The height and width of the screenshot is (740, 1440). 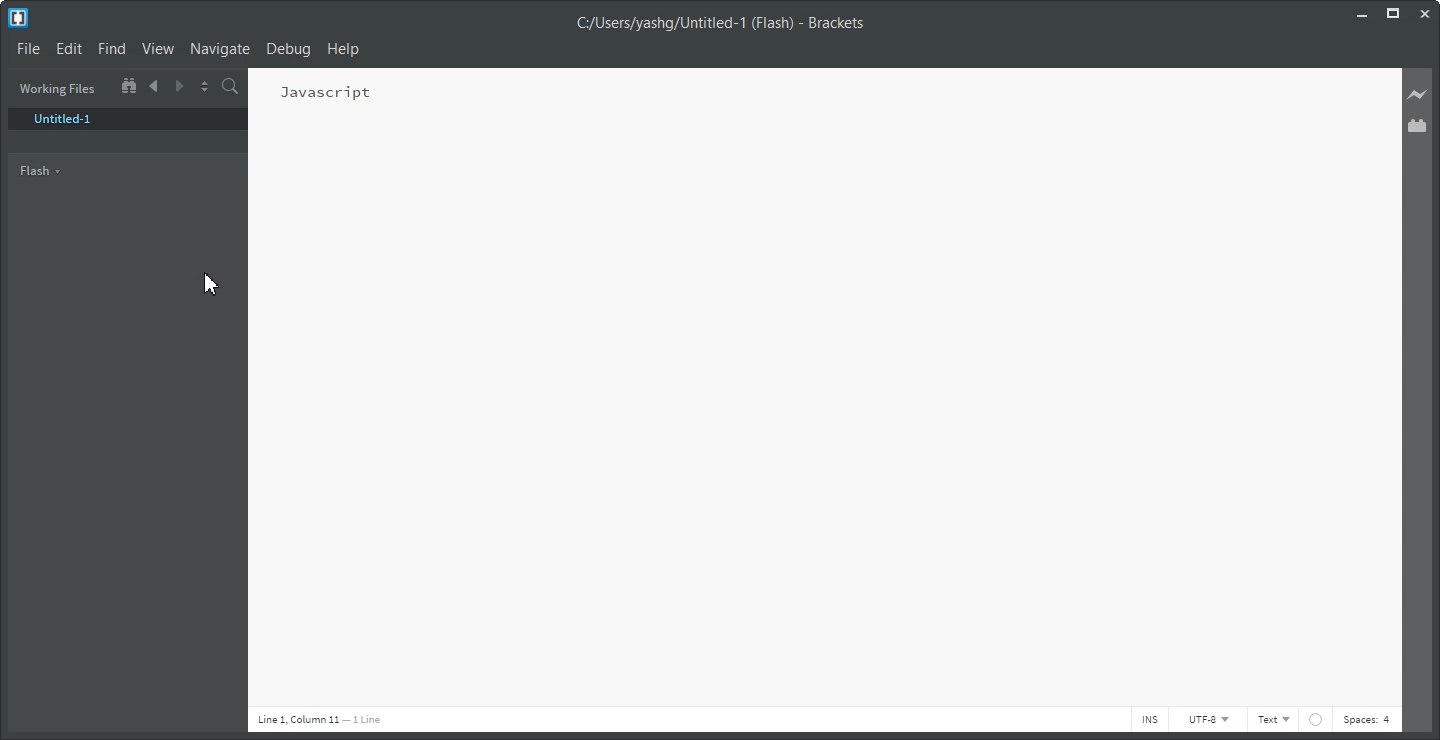 I want to click on Minimize, so click(x=1360, y=14).